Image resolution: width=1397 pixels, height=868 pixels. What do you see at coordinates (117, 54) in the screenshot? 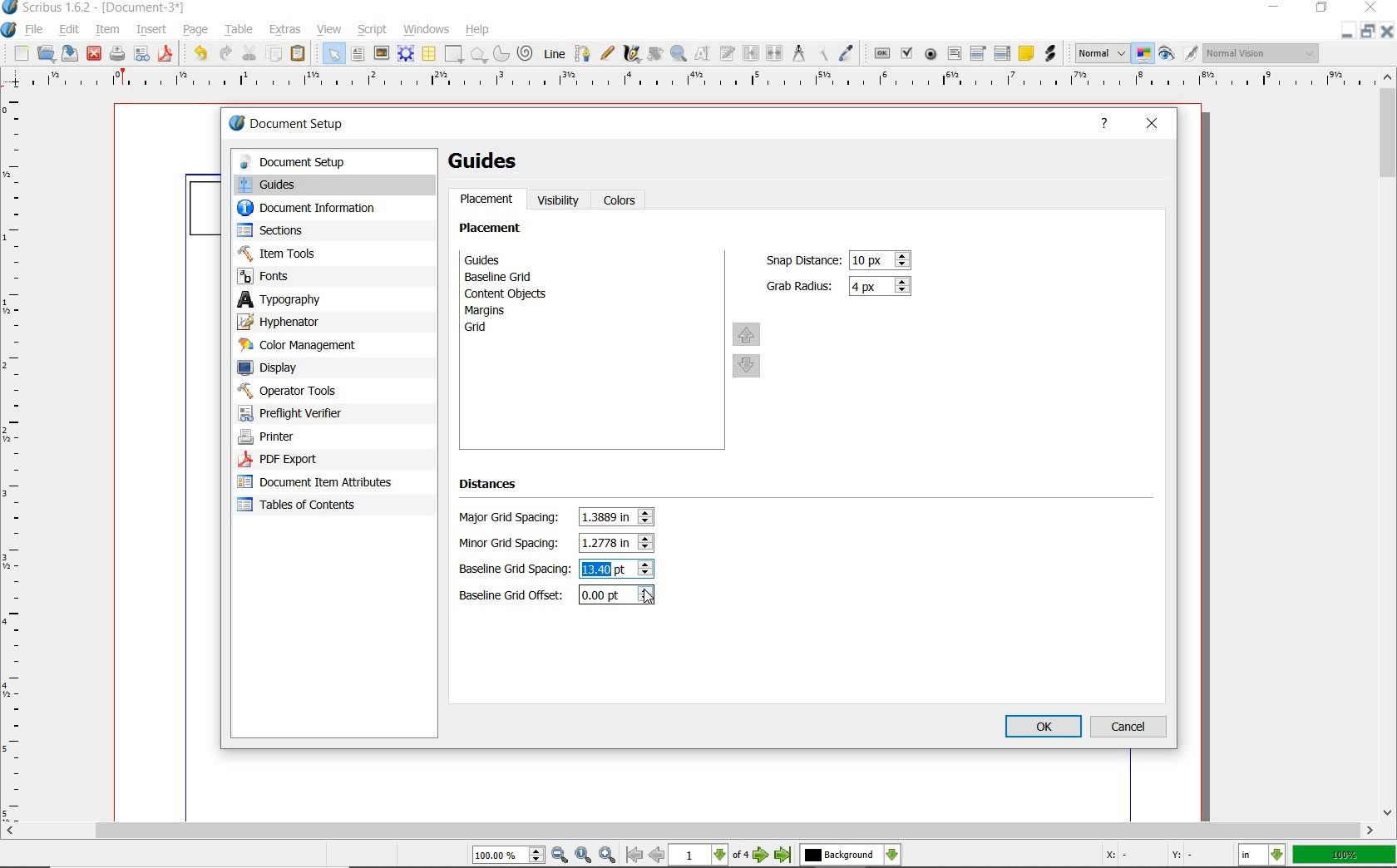
I see `print` at bounding box center [117, 54].